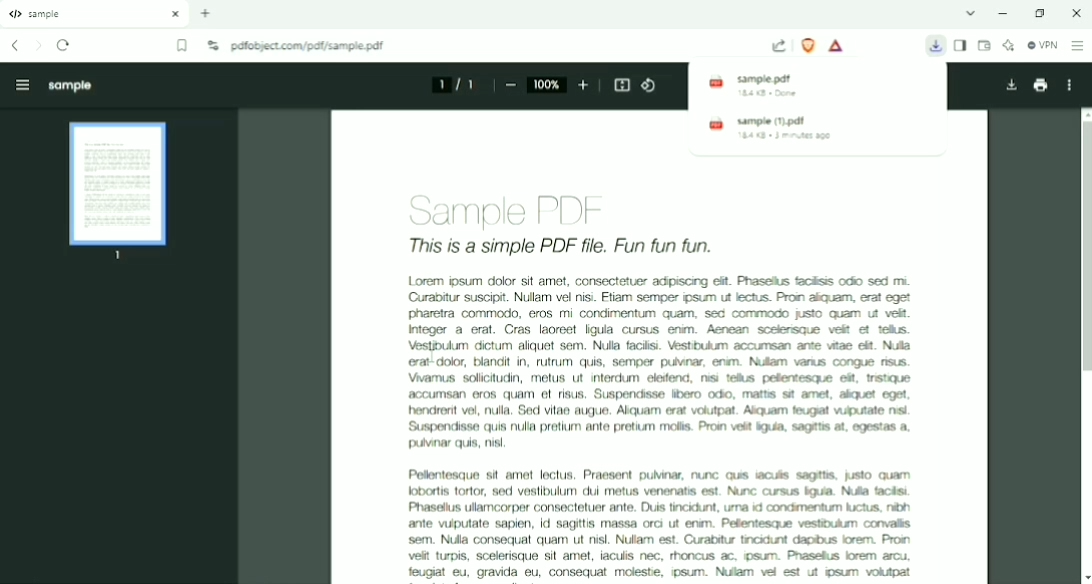  Describe the element at coordinates (119, 192) in the screenshot. I see `Page` at that location.